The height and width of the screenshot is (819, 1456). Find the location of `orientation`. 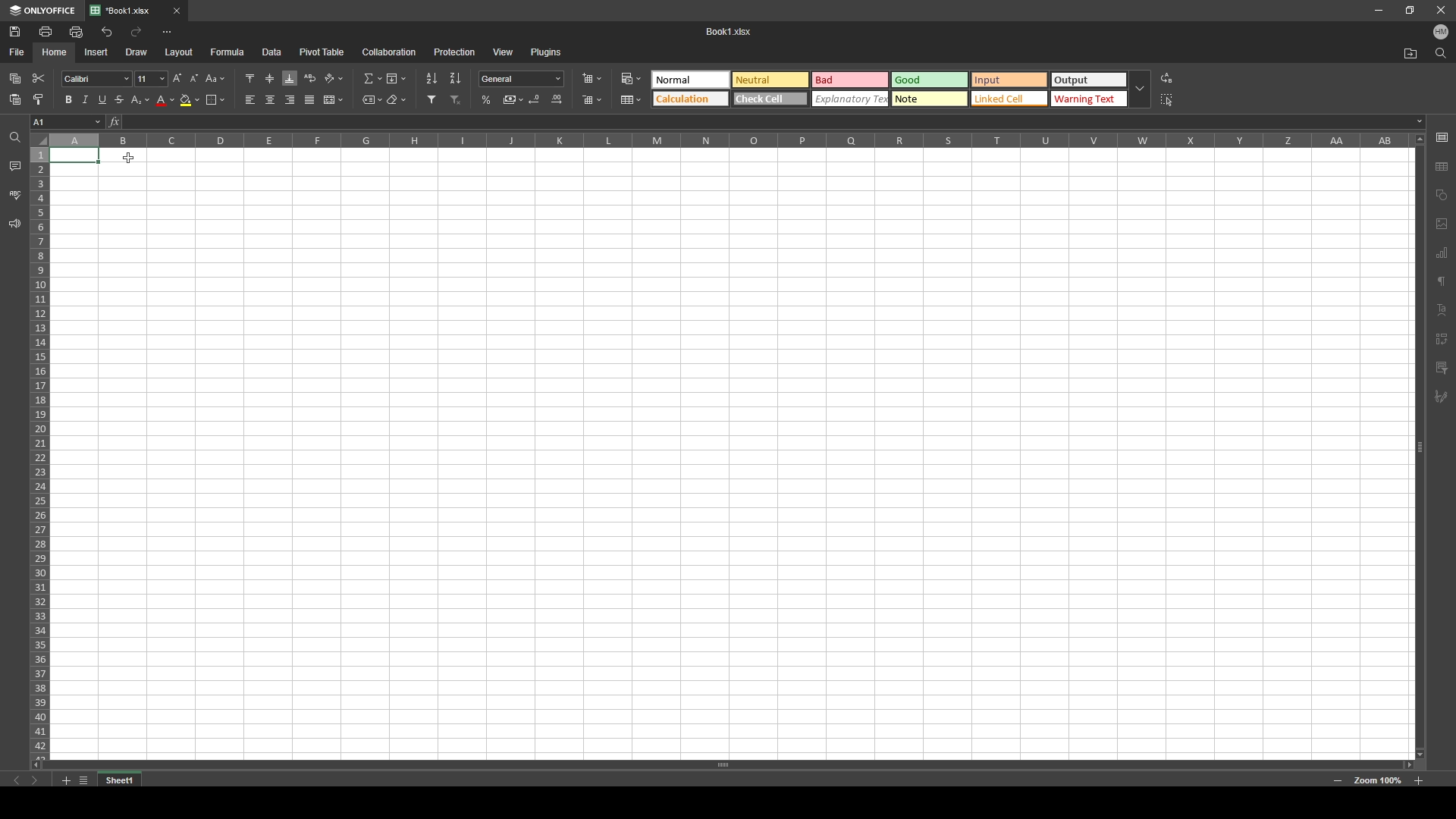

orientation is located at coordinates (335, 78).